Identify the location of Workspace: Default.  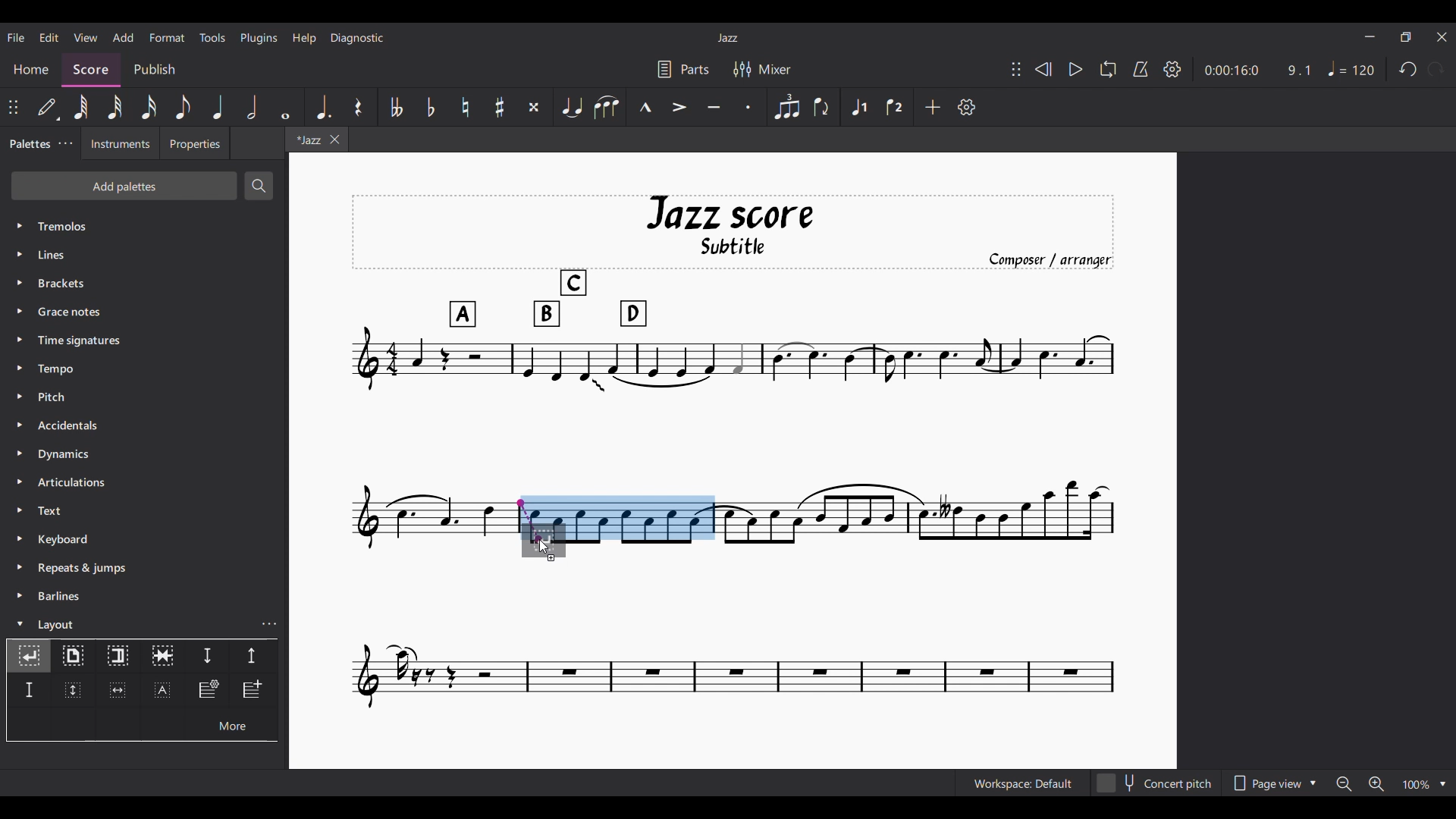
(1023, 783).